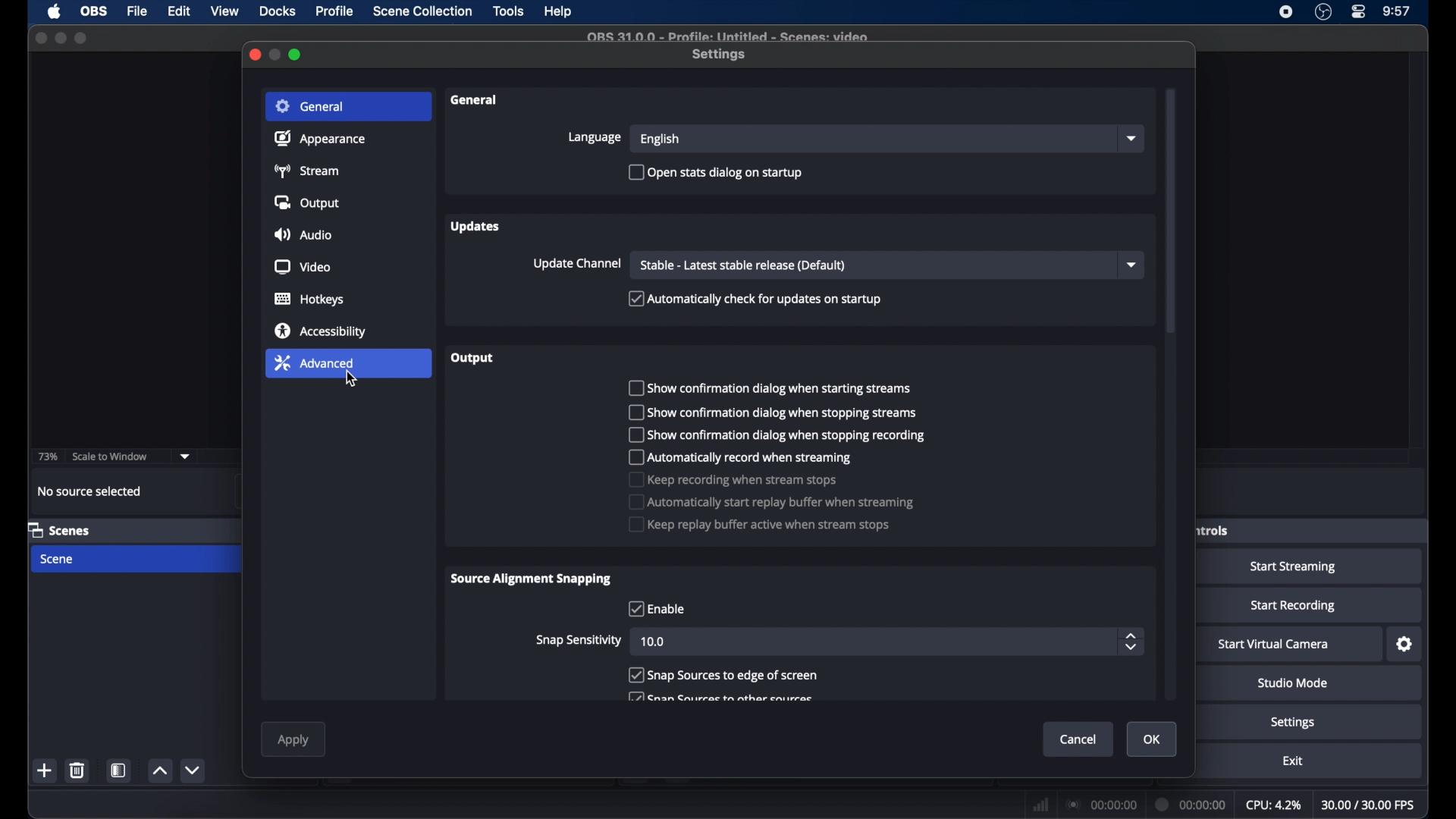 This screenshot has width=1456, height=819. What do you see at coordinates (1078, 739) in the screenshot?
I see `cancel` at bounding box center [1078, 739].